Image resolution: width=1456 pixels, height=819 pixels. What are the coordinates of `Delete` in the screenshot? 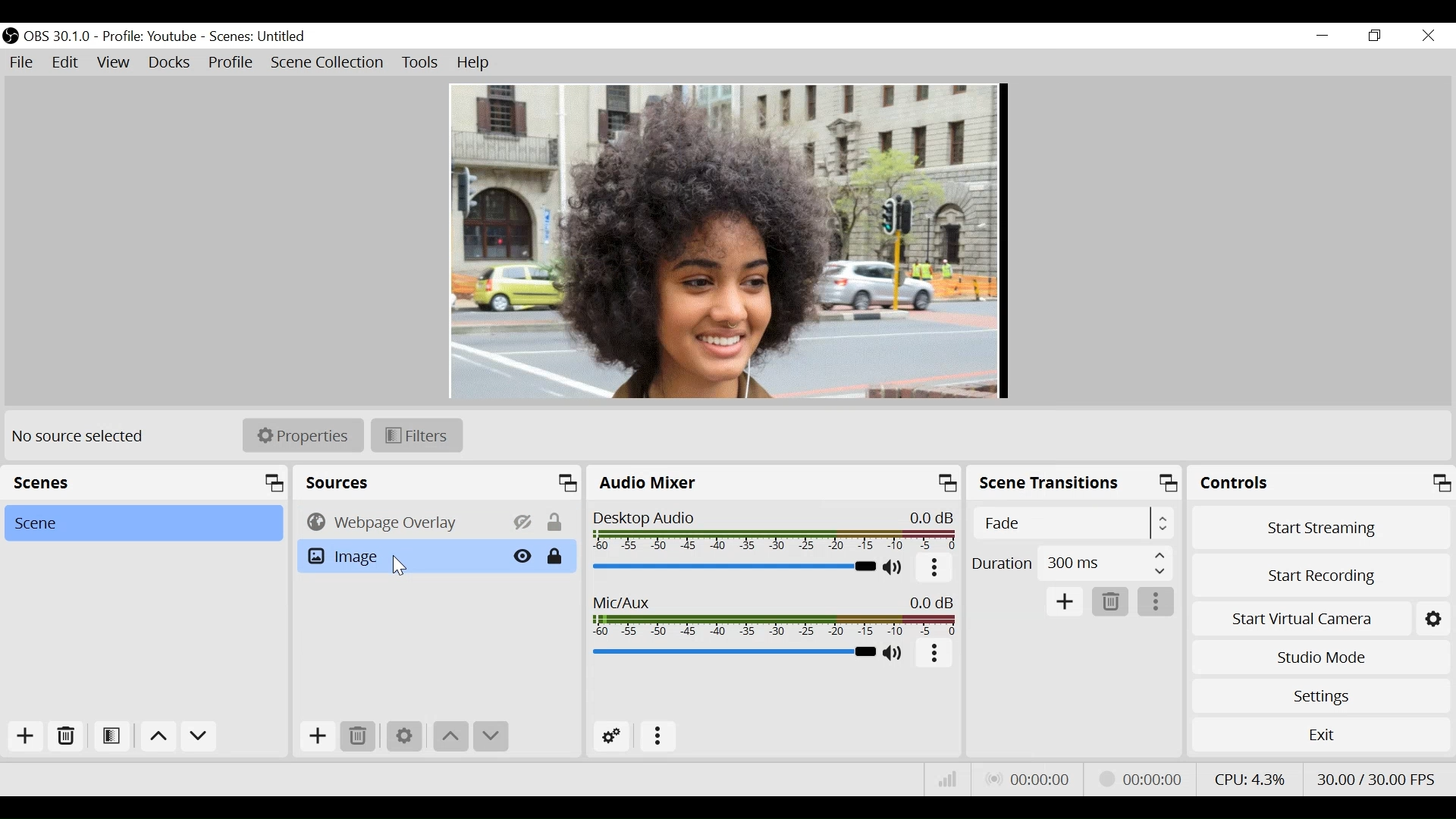 It's located at (1109, 602).